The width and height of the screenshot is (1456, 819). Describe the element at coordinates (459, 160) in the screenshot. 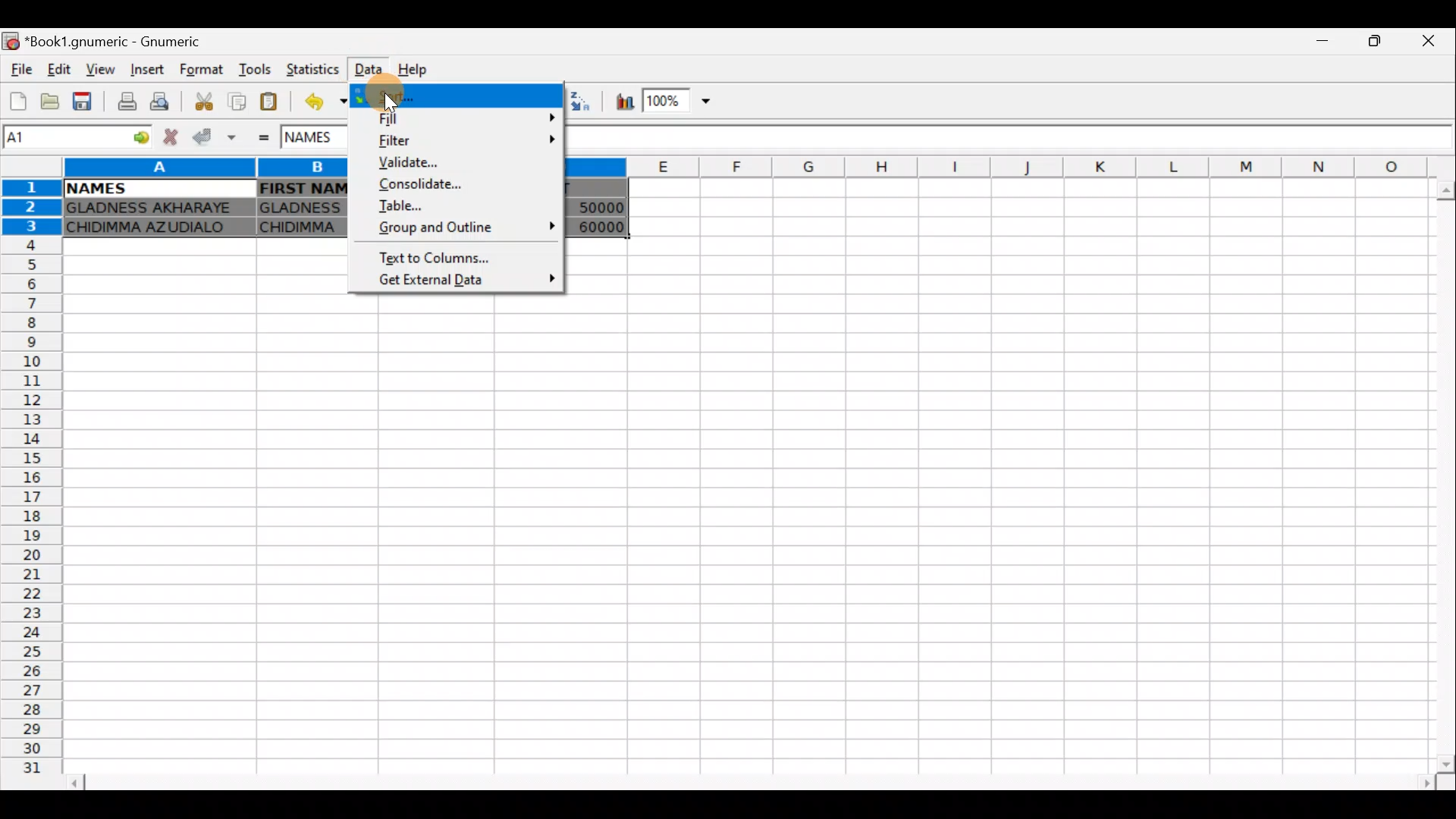

I see `Validate` at that location.